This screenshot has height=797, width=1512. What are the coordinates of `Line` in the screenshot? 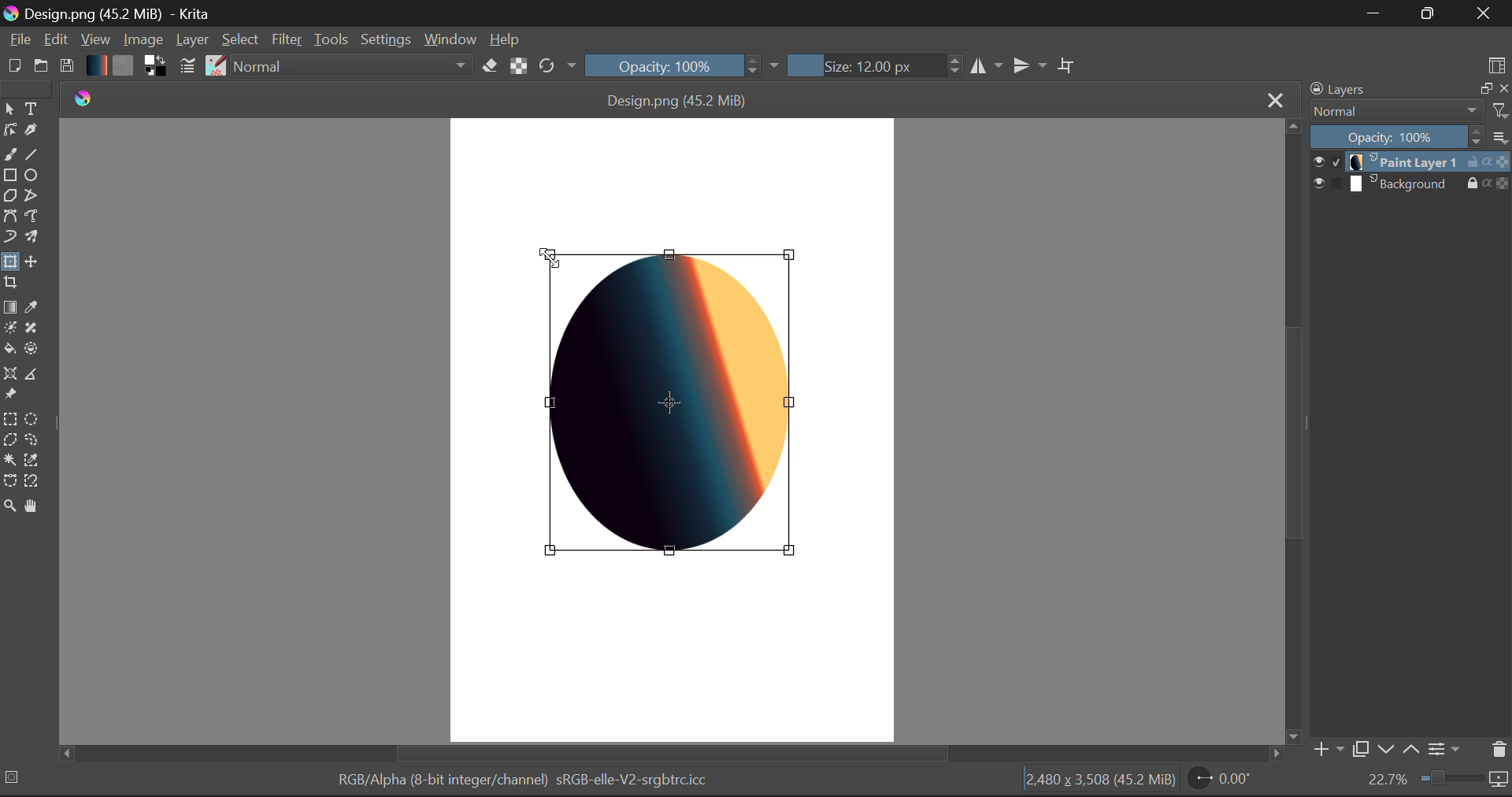 It's located at (30, 153).